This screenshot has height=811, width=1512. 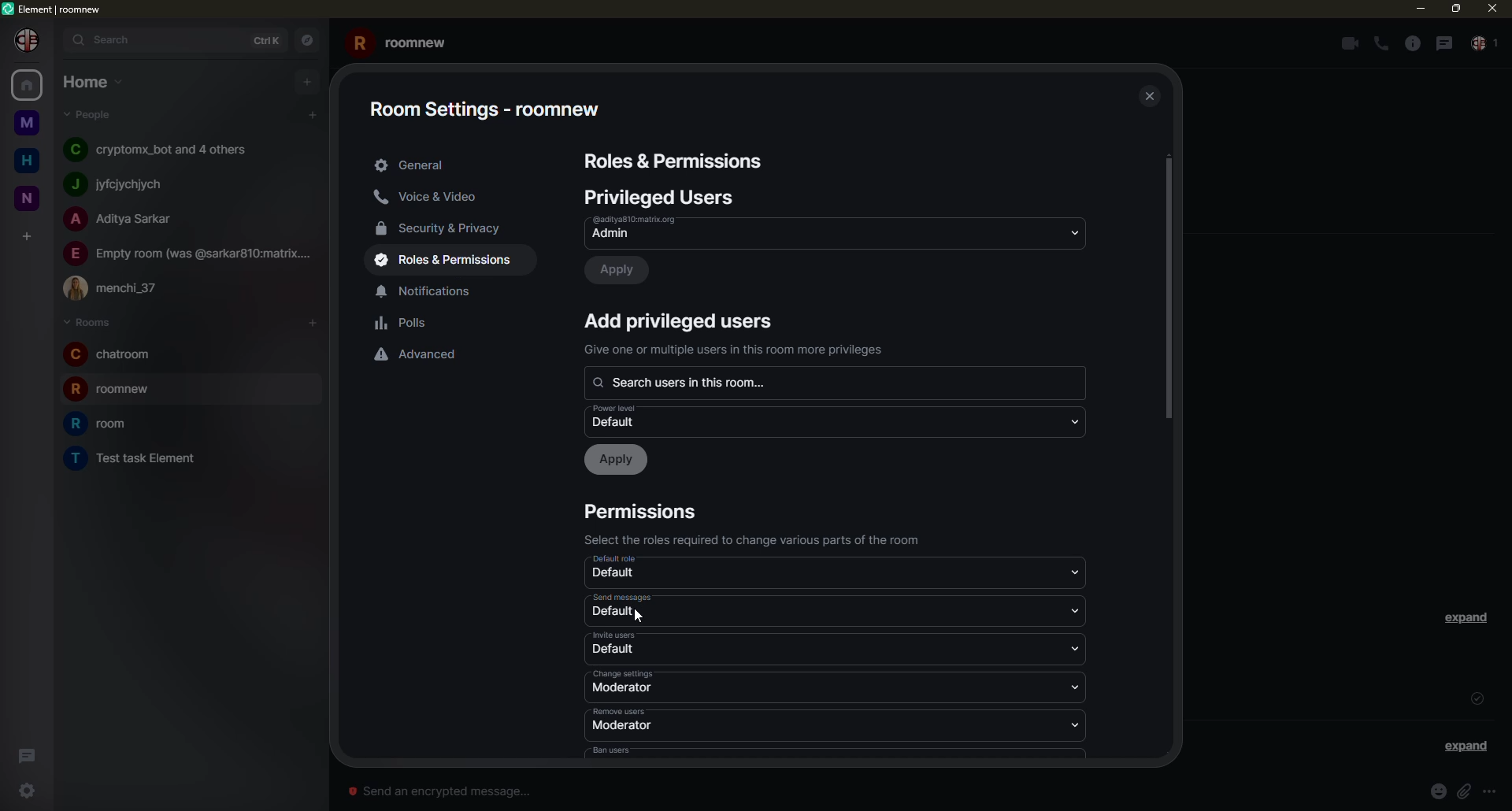 What do you see at coordinates (433, 291) in the screenshot?
I see `notifications` at bounding box center [433, 291].